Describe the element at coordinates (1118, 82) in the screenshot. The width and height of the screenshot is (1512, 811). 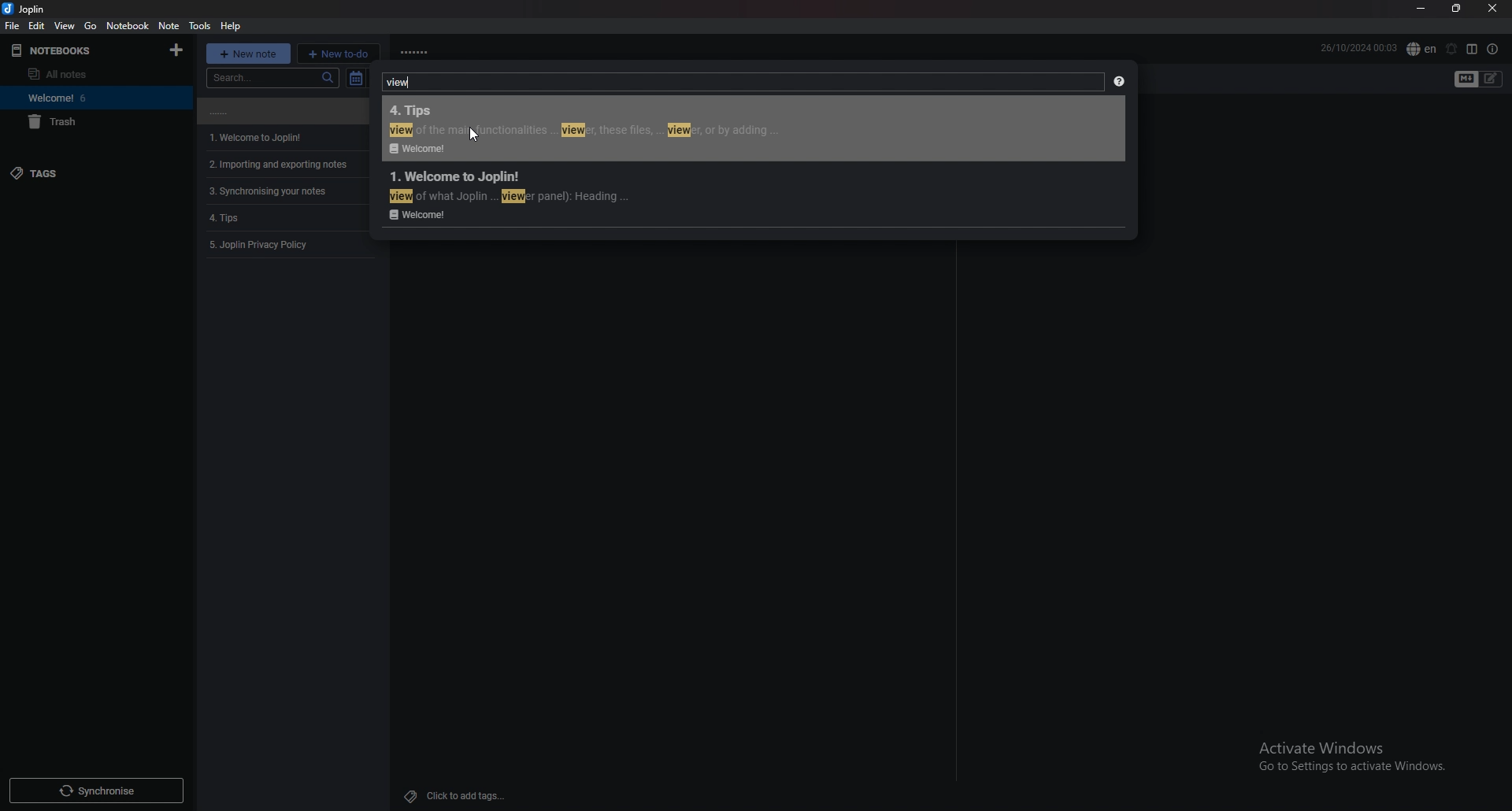
I see `help` at that location.